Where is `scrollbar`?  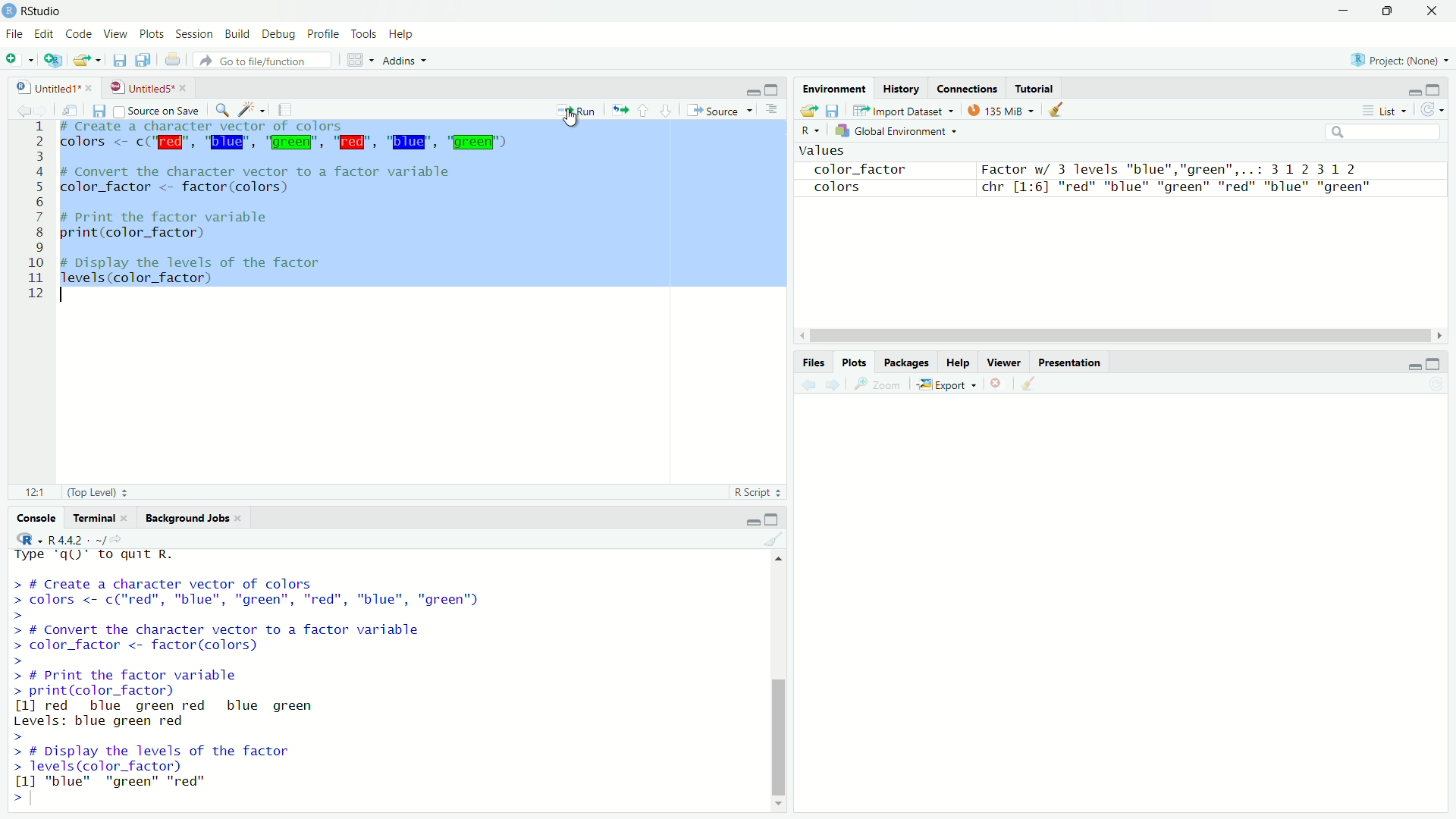
scrollbar is located at coordinates (1118, 335).